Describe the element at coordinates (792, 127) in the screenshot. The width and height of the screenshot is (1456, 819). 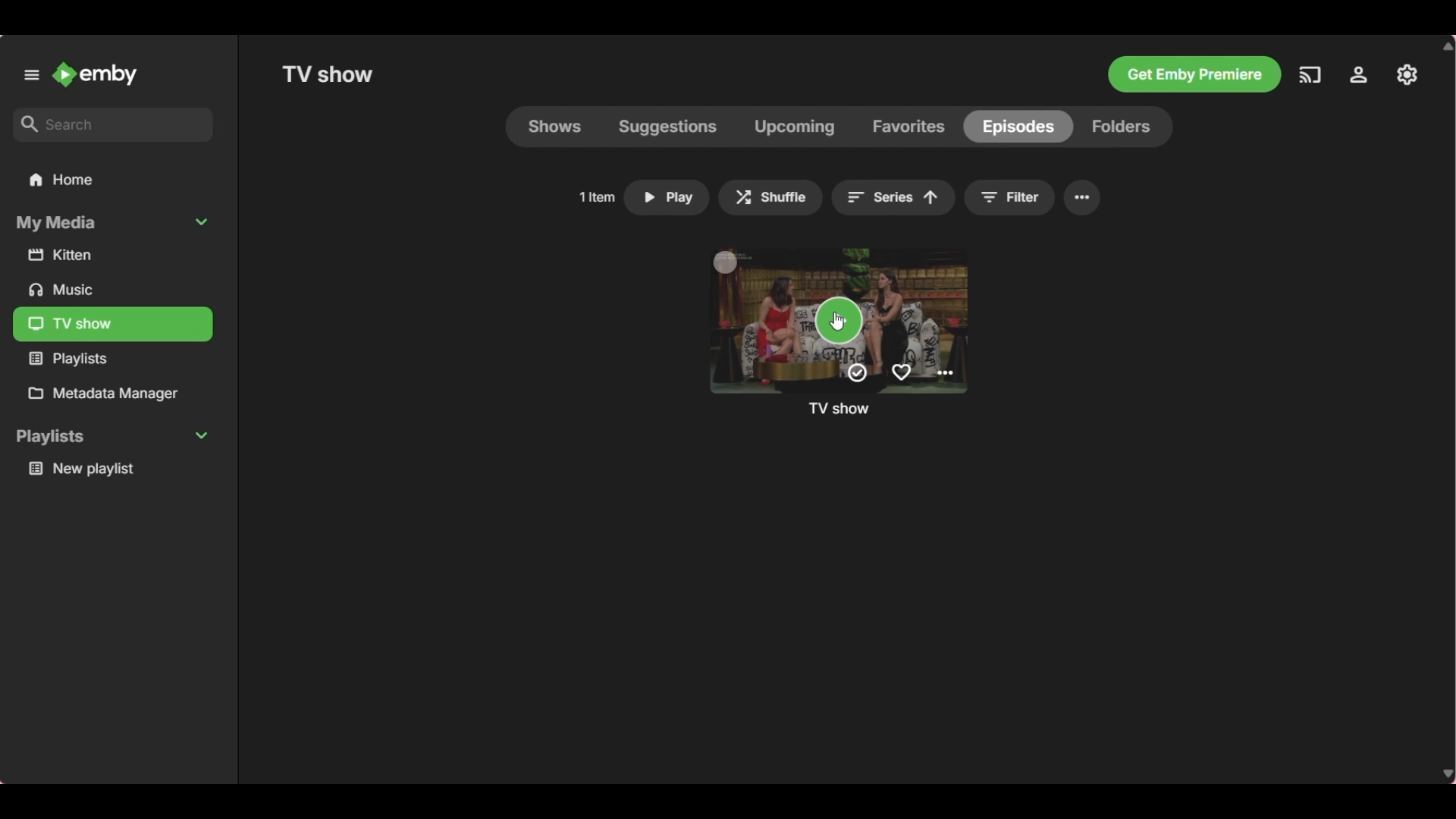
I see `Upcoming` at that location.